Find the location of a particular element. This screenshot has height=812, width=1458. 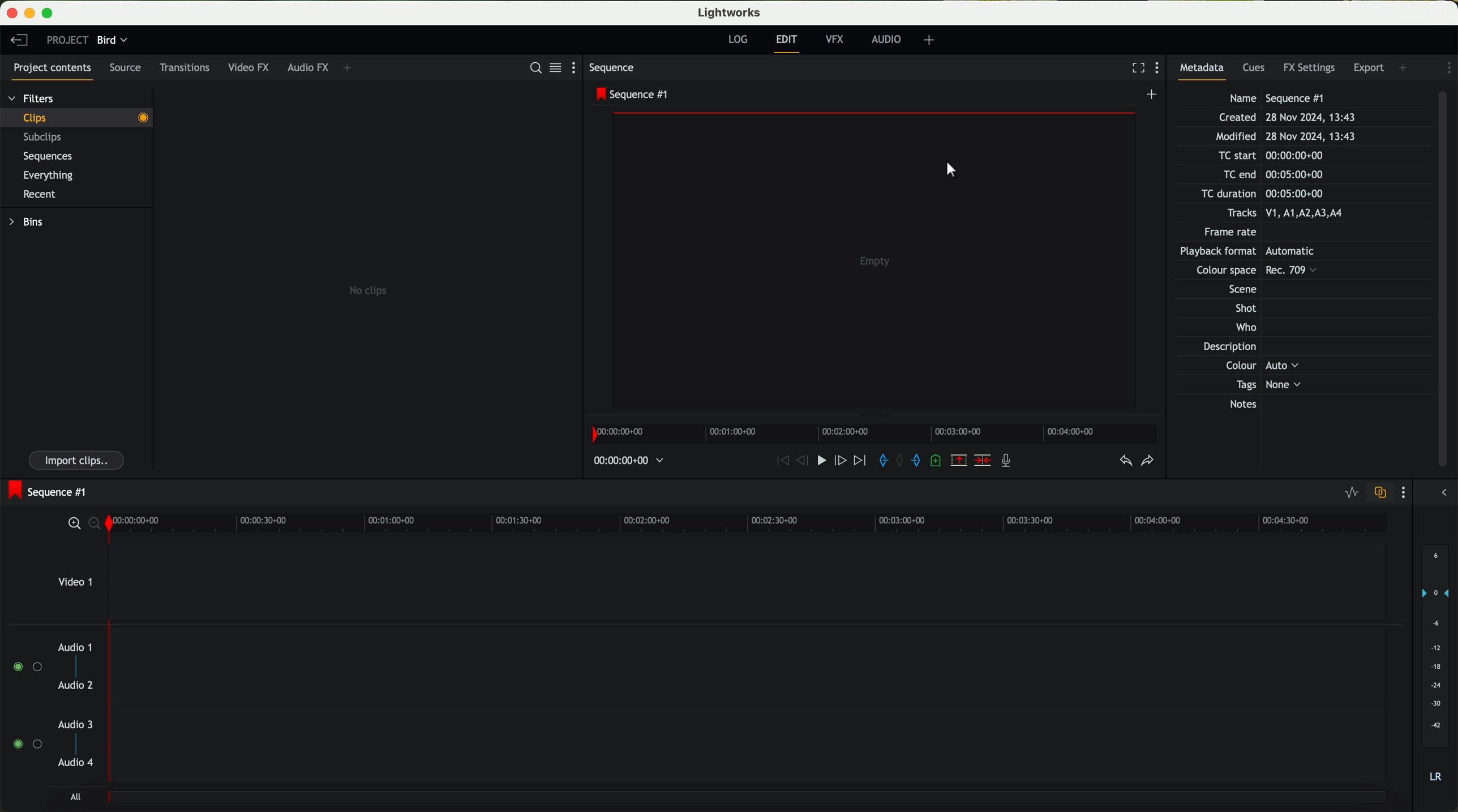

sequence is located at coordinates (614, 68).